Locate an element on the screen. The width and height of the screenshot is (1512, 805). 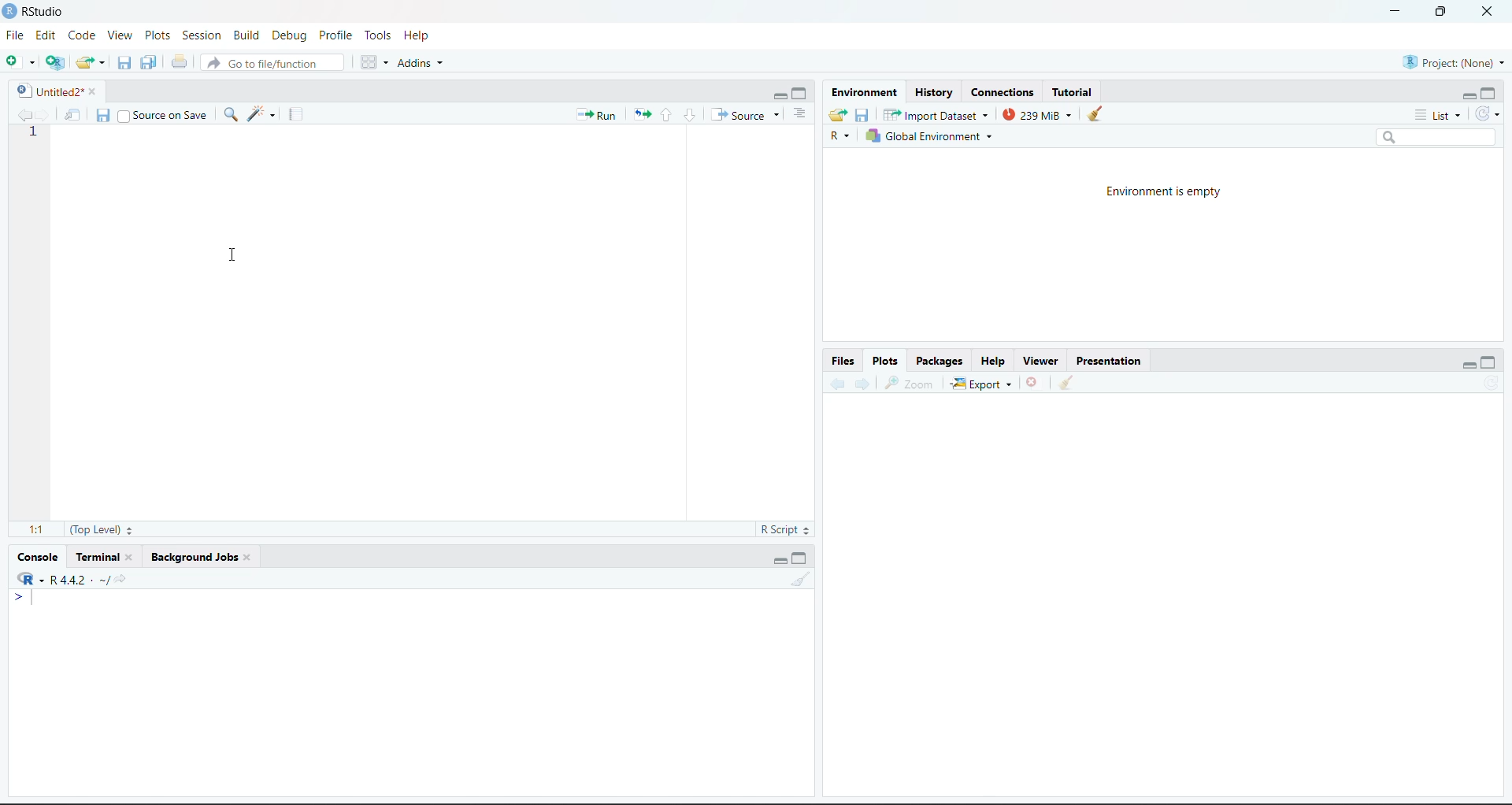
Addins is located at coordinates (423, 62).